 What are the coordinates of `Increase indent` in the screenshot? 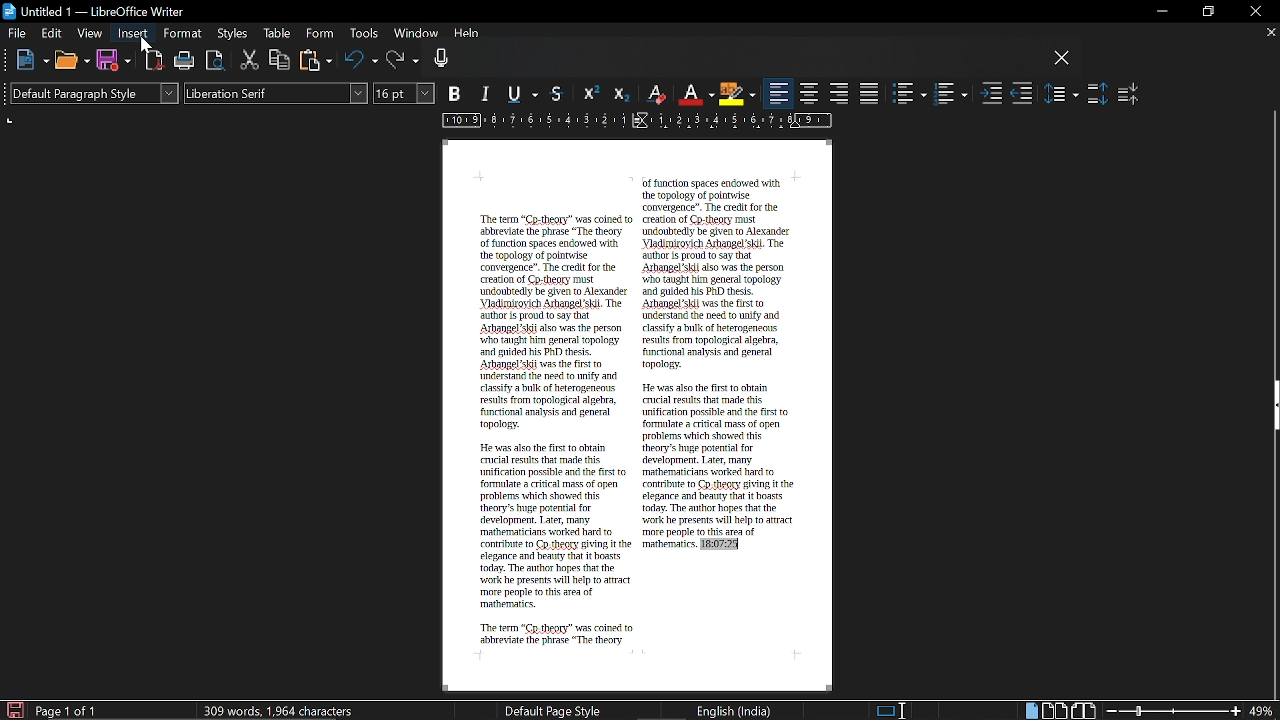 It's located at (992, 95).